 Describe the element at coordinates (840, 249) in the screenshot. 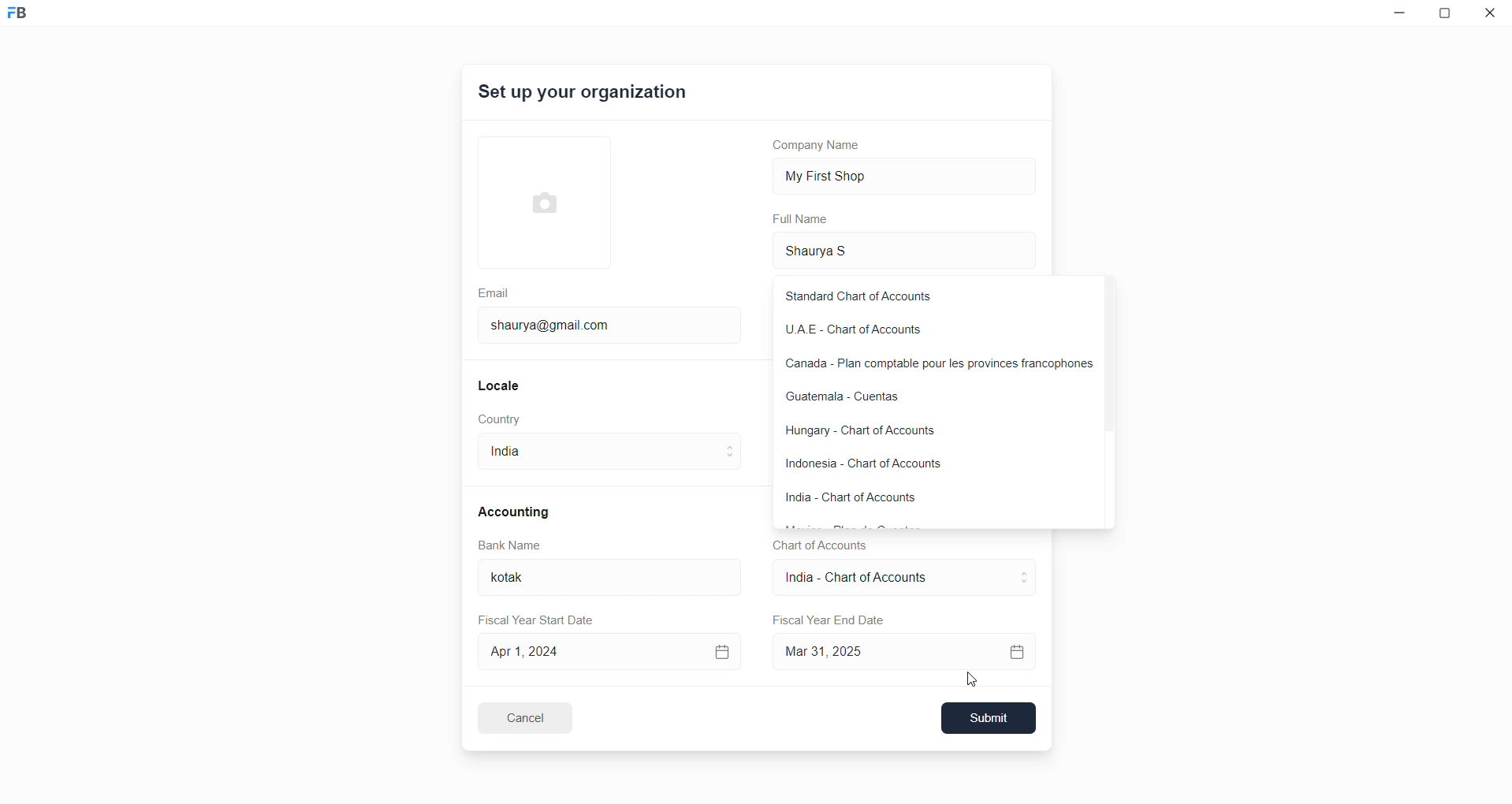

I see `Shaurya S` at that location.